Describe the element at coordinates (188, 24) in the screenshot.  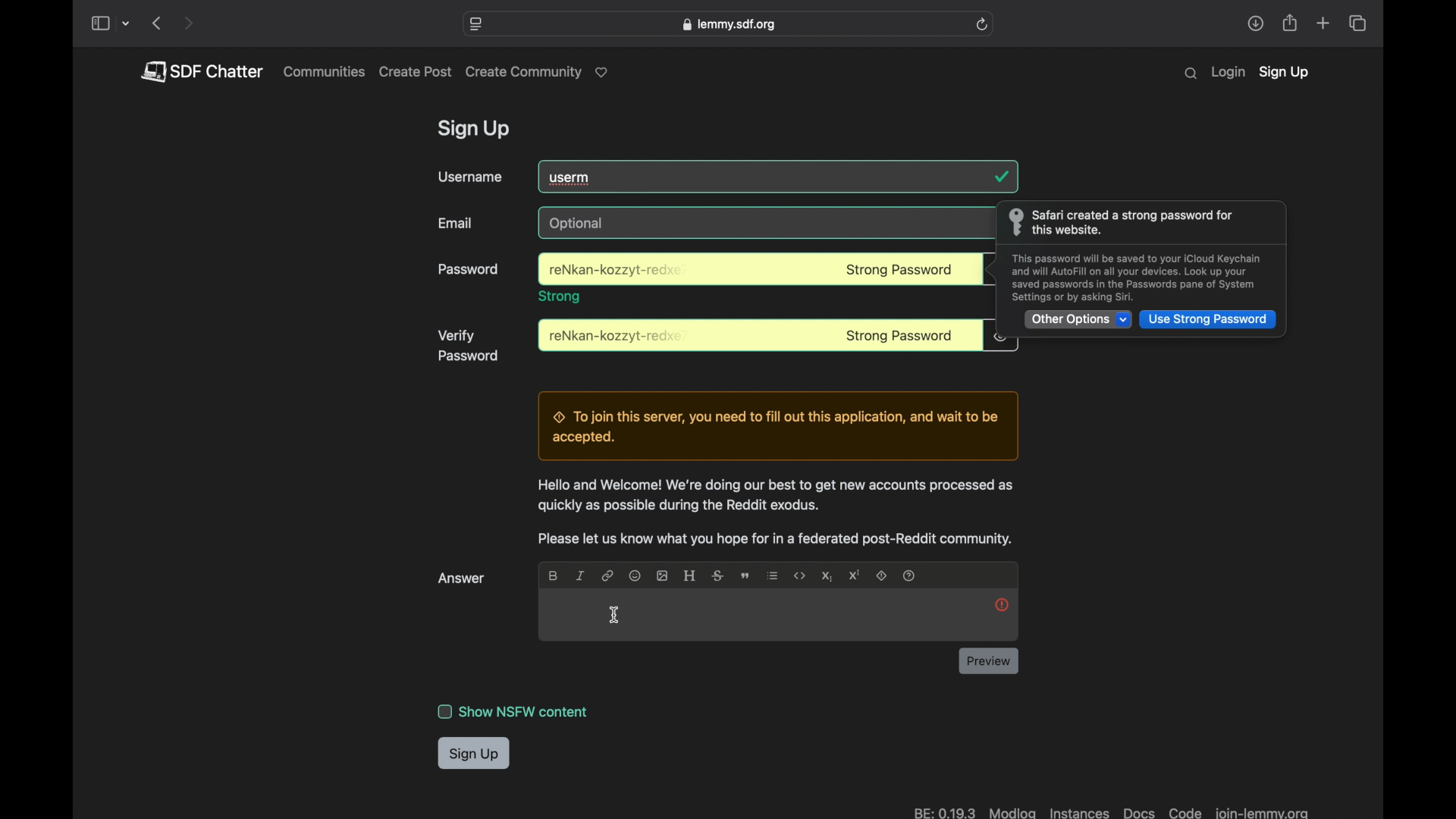
I see `next page` at that location.